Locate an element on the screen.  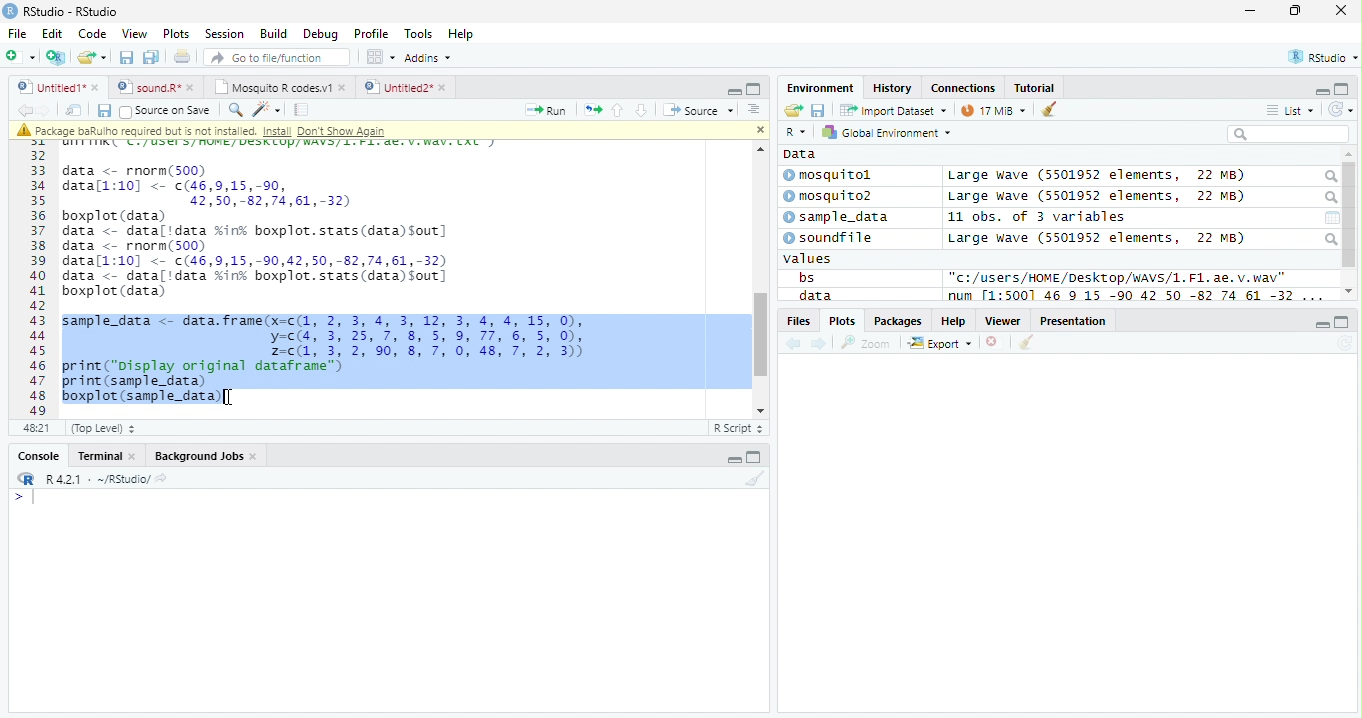
R Script is located at coordinates (739, 427).